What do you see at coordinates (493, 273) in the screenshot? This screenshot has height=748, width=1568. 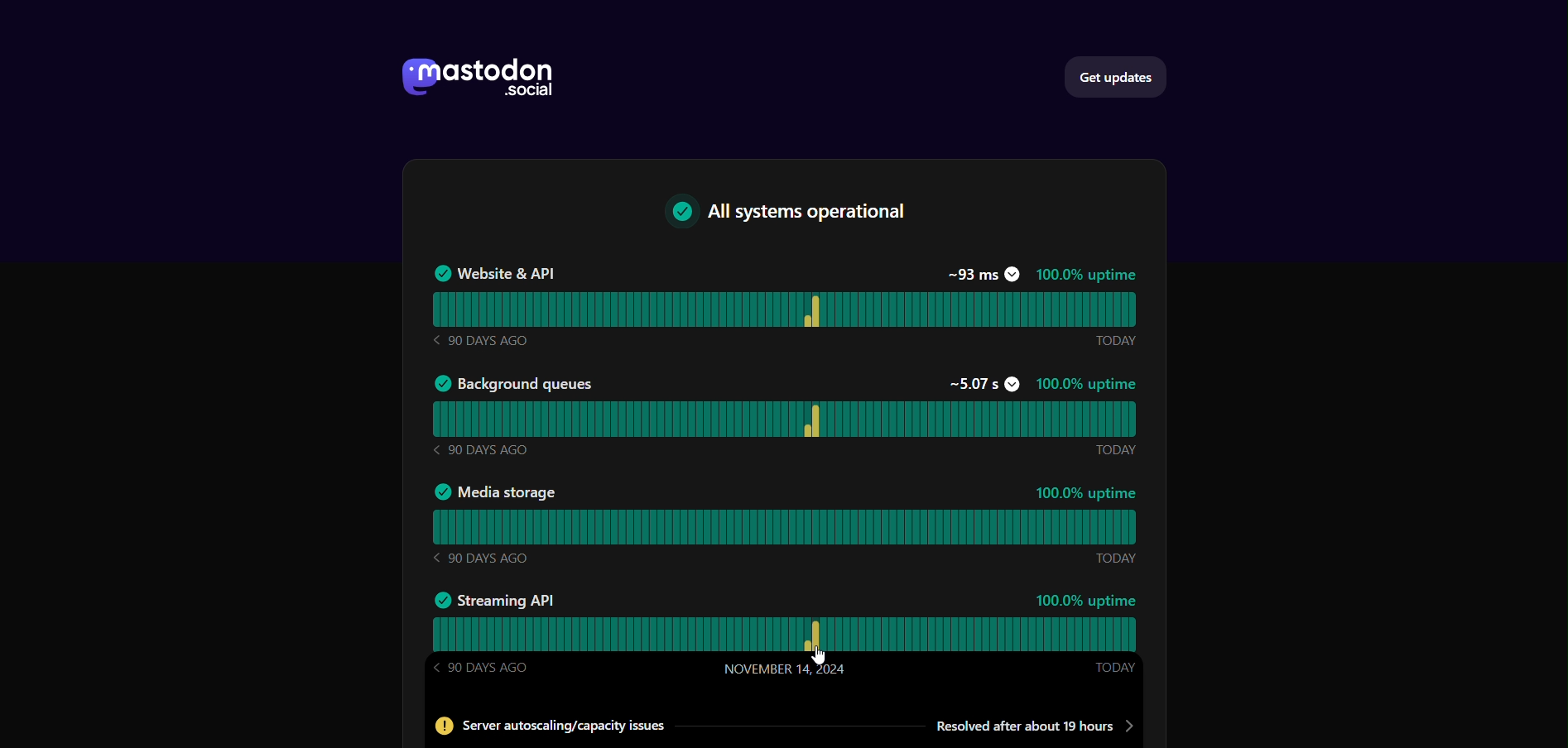 I see `Website & API` at bounding box center [493, 273].